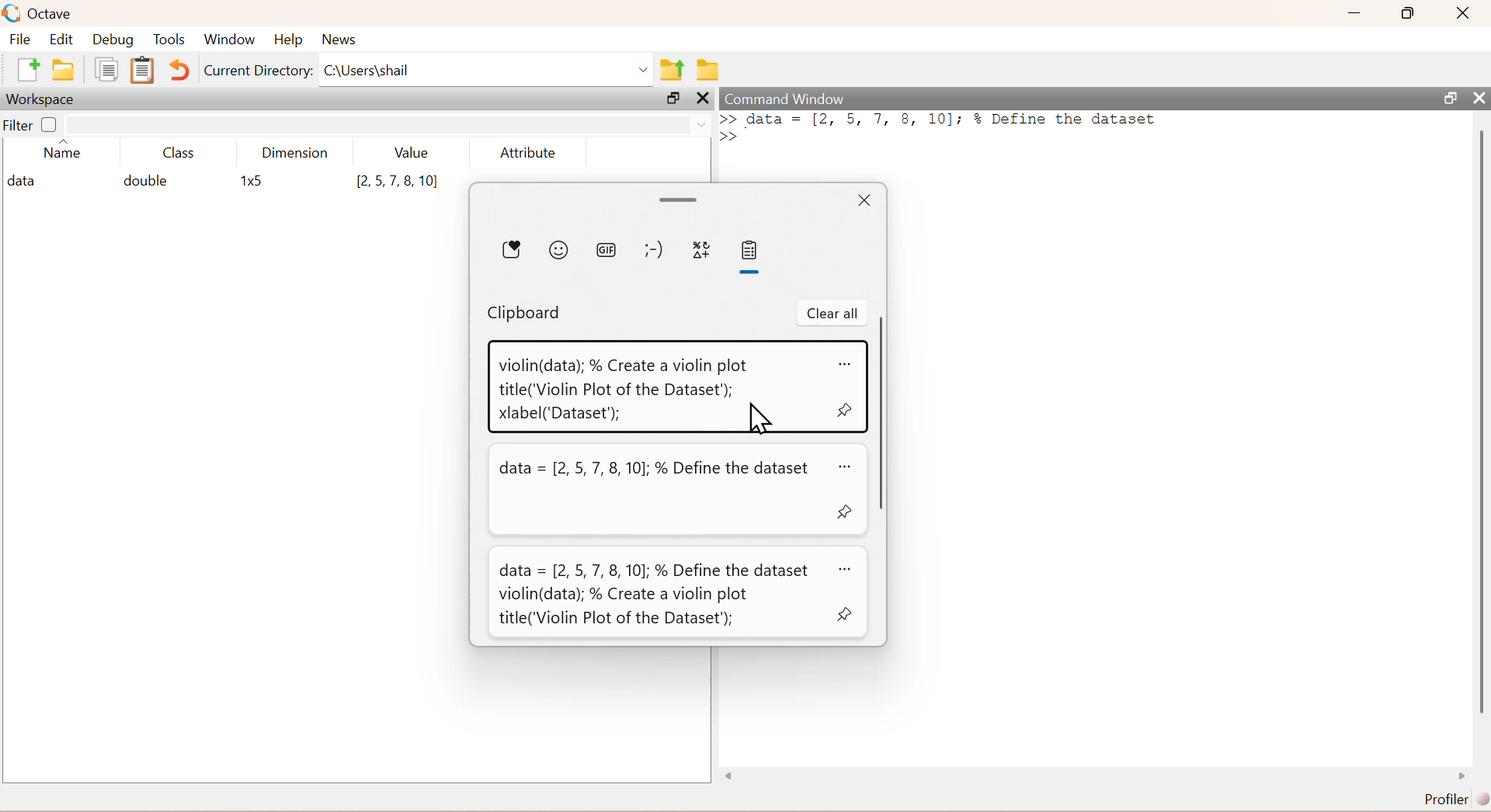  What do you see at coordinates (645, 70) in the screenshot?
I see `Drop-down ` at bounding box center [645, 70].